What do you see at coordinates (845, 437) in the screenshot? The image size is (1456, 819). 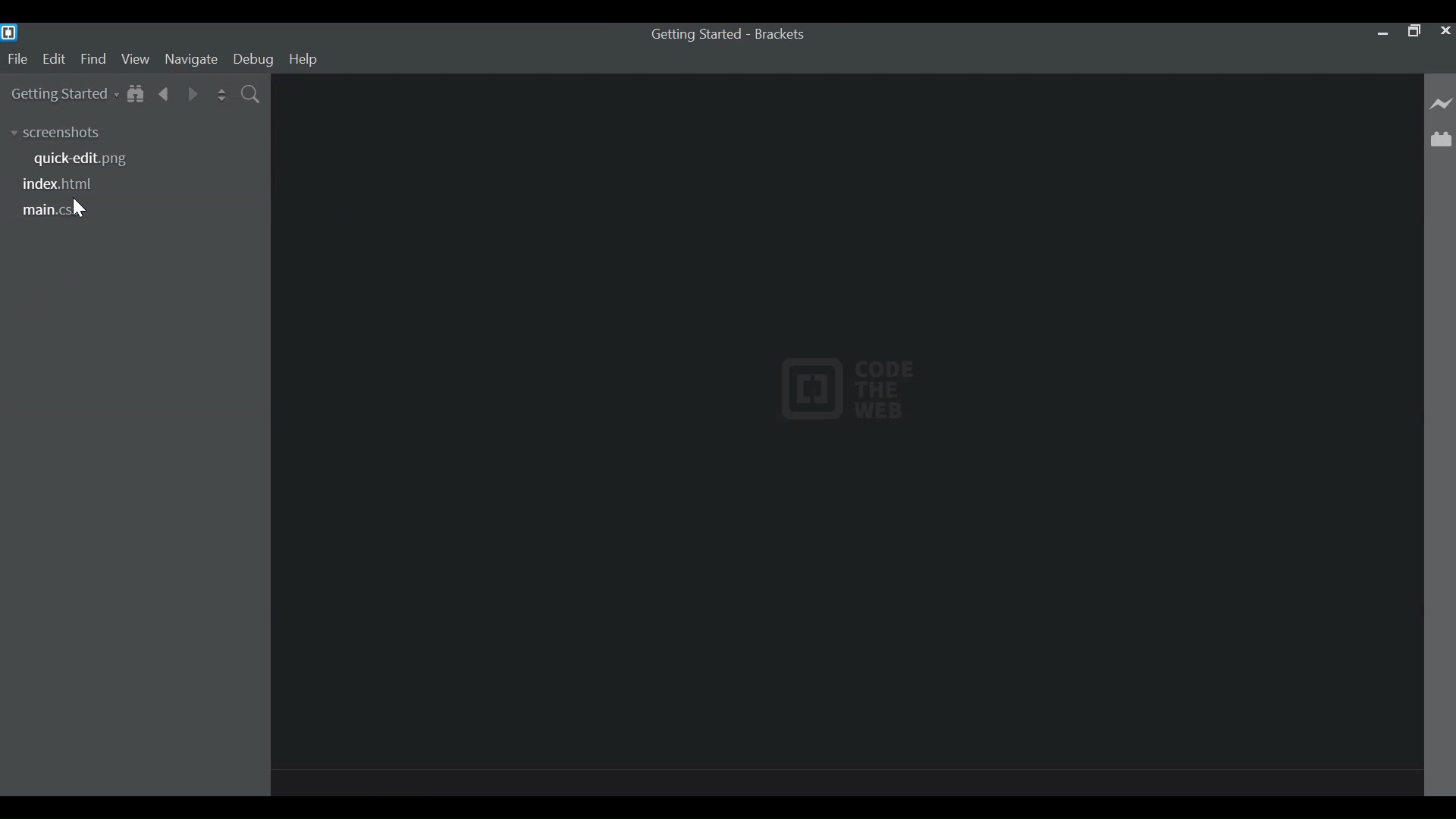 I see `Default Start Screen` at bounding box center [845, 437].